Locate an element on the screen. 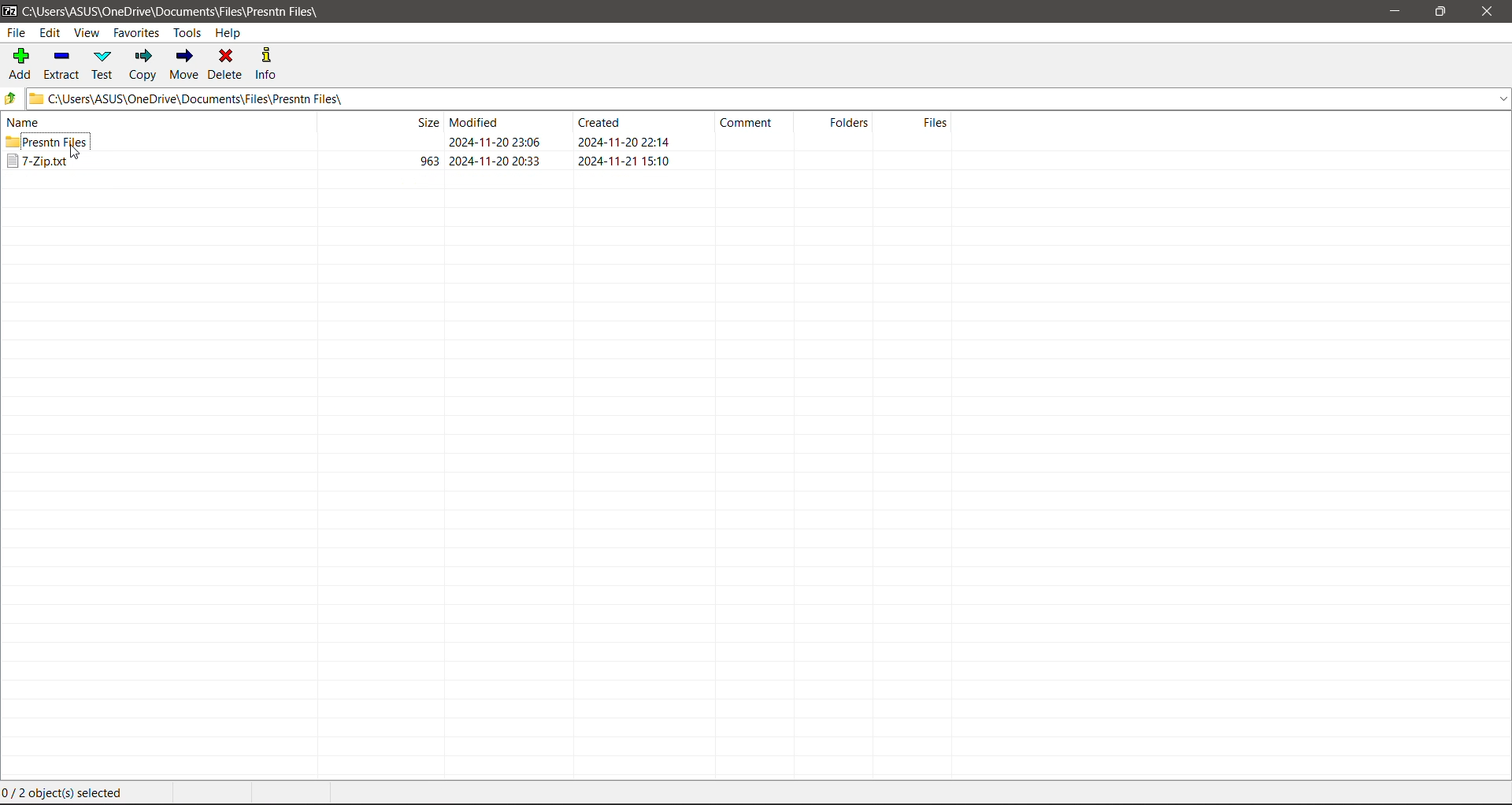 The image size is (1512, 805). Folders is located at coordinates (843, 121).